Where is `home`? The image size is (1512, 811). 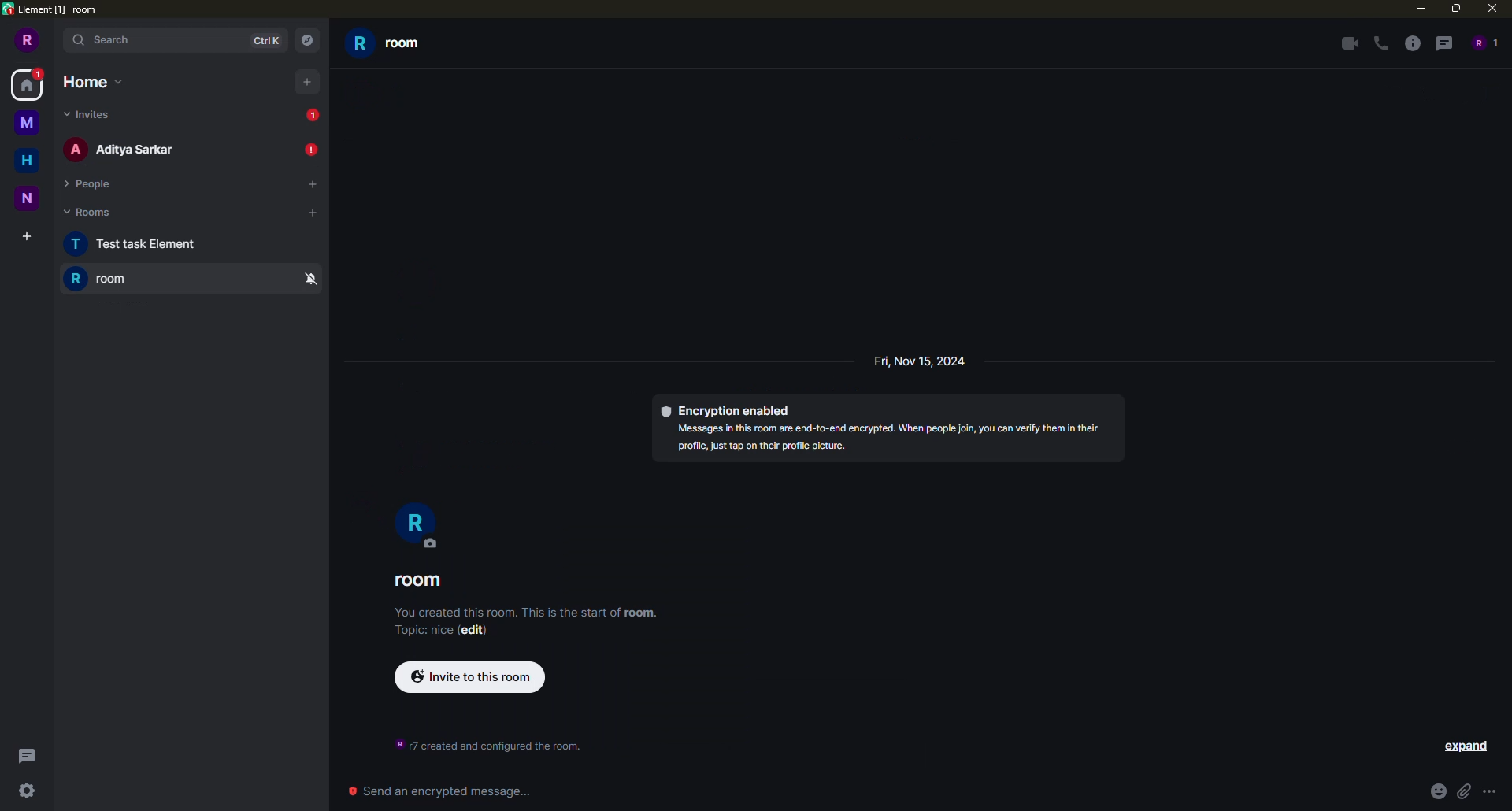
home is located at coordinates (93, 82).